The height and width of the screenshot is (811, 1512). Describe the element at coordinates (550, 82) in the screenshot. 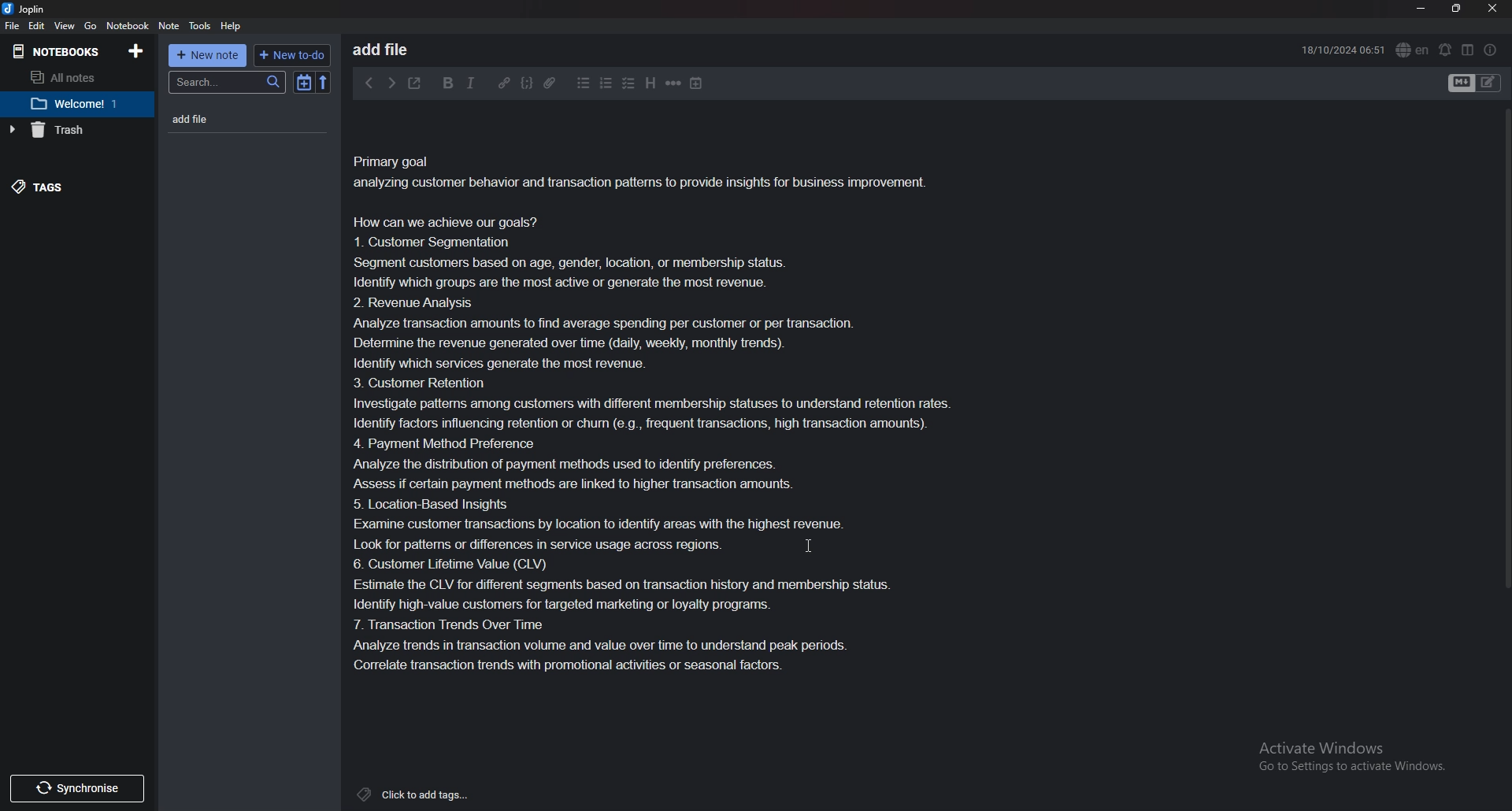

I see `Attachment` at that location.